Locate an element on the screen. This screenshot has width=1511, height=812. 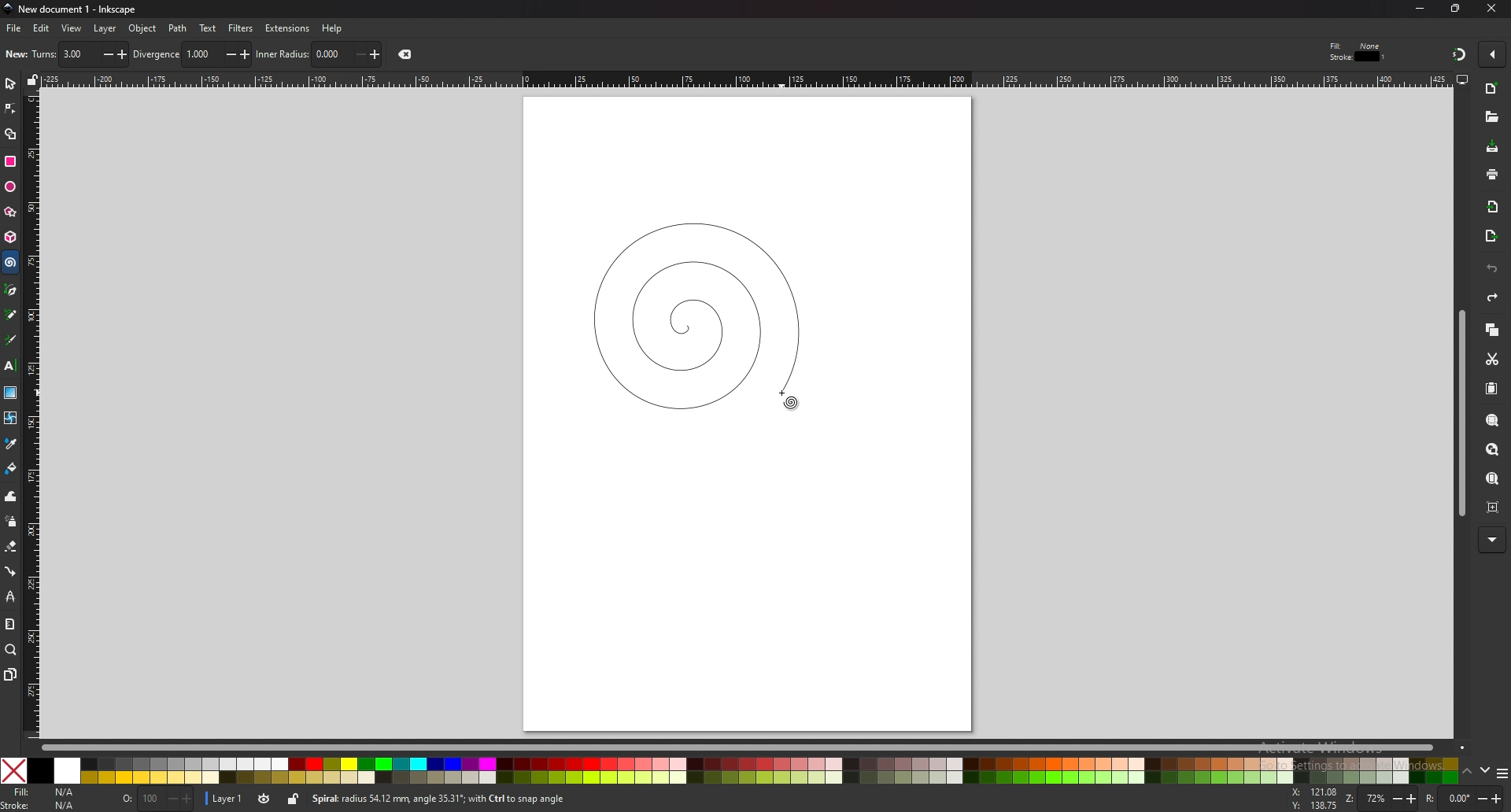
redo is located at coordinates (1494, 297).